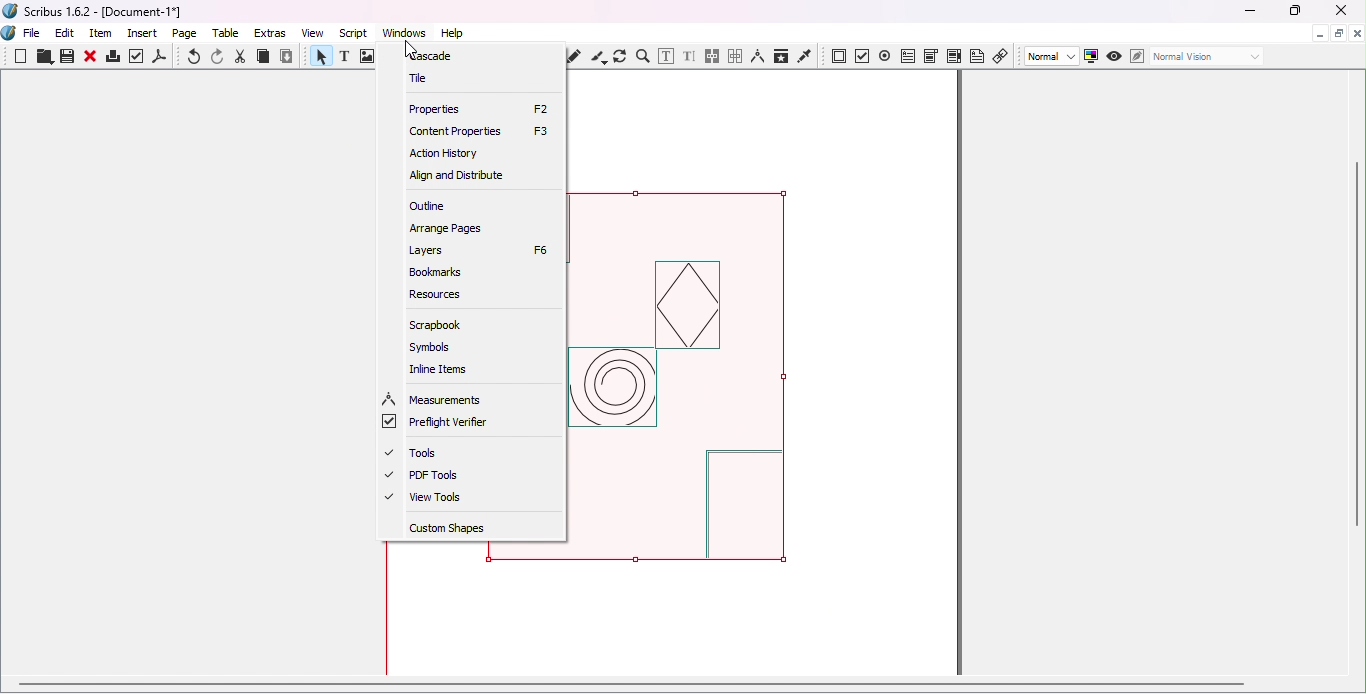  What do you see at coordinates (65, 57) in the screenshot?
I see `Save` at bounding box center [65, 57].